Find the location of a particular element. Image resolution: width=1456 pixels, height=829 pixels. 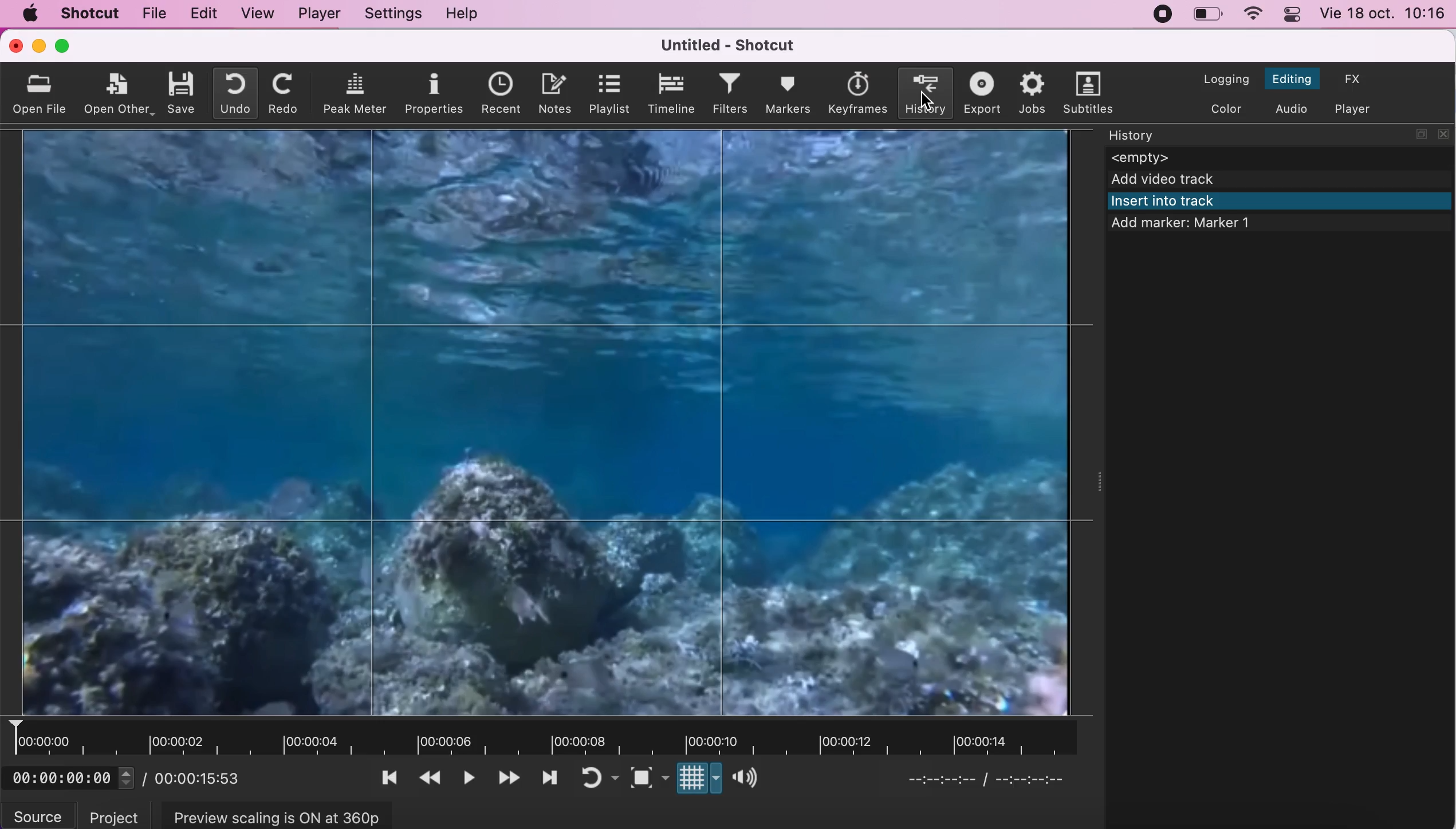

switch to the editing layout is located at coordinates (1293, 75).